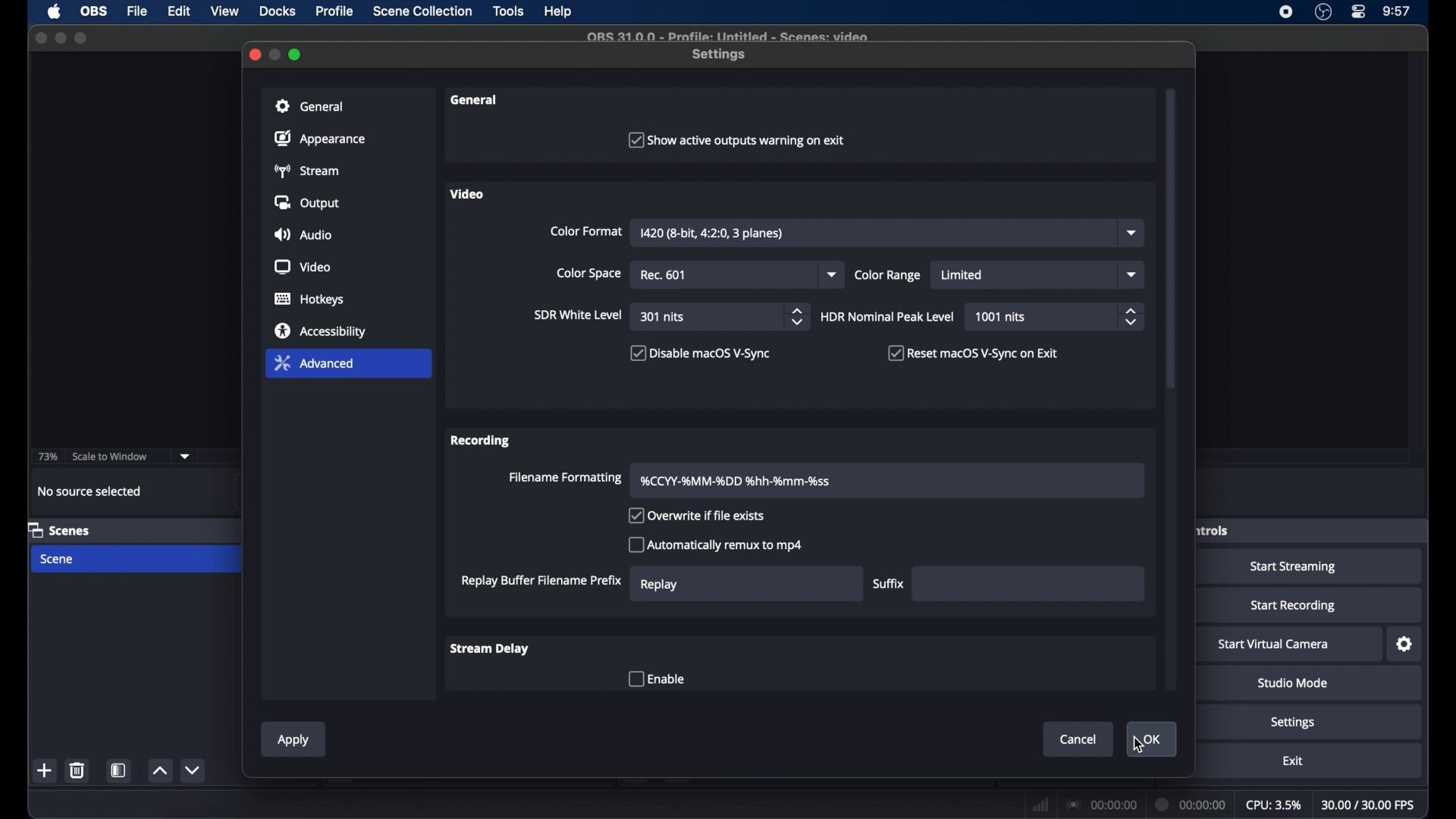 Image resolution: width=1456 pixels, height=819 pixels. Describe the element at coordinates (159, 770) in the screenshot. I see `increment` at that location.